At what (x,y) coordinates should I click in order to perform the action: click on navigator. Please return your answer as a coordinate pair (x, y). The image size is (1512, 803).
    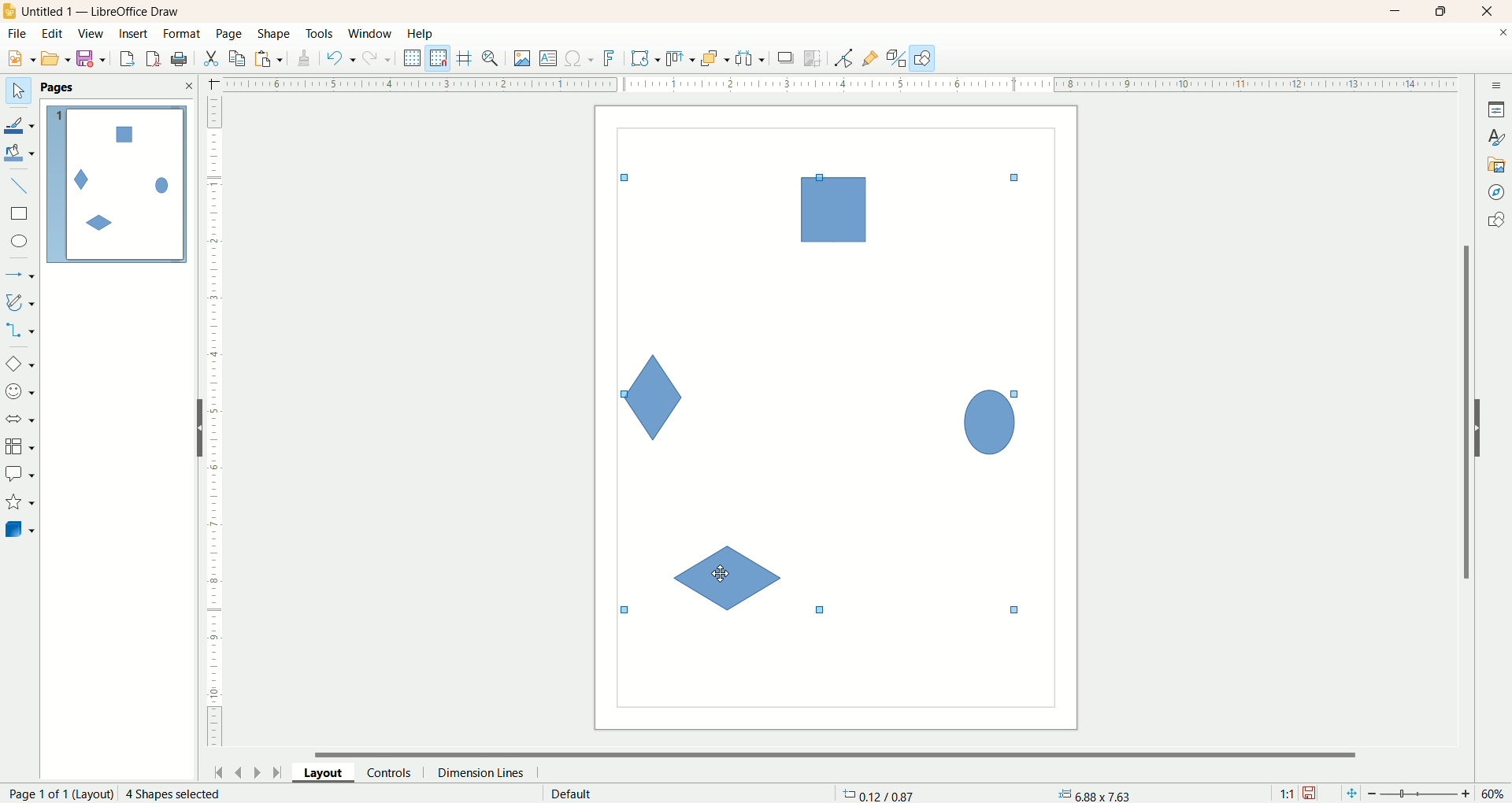
    Looking at the image, I should click on (1497, 193).